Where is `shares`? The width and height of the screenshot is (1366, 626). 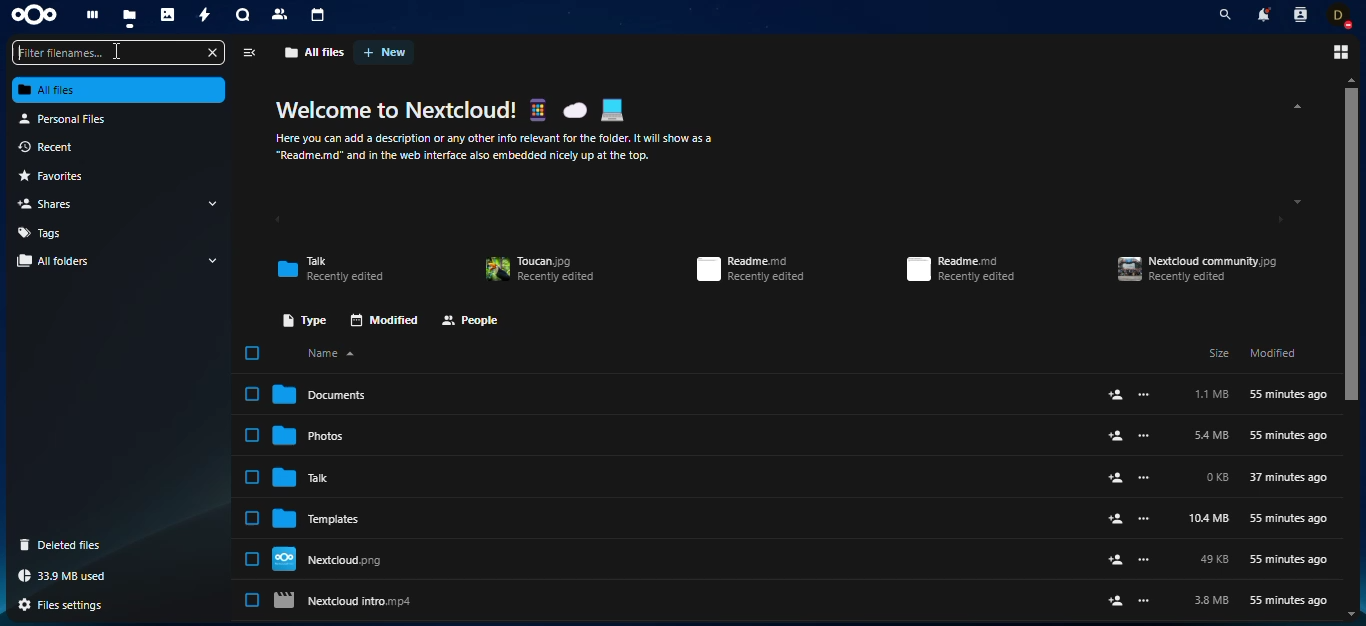
shares is located at coordinates (53, 203).